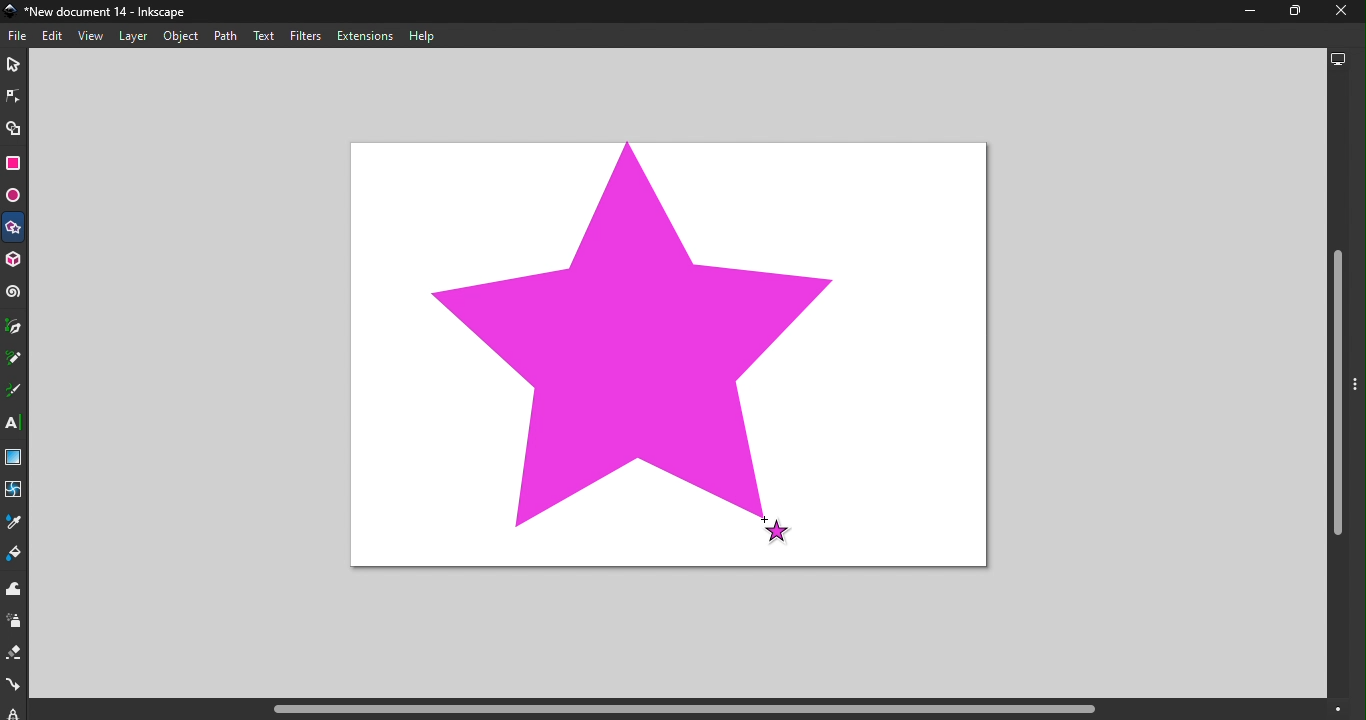 The image size is (1366, 720). Describe the element at coordinates (15, 687) in the screenshot. I see `Connector tool` at that location.